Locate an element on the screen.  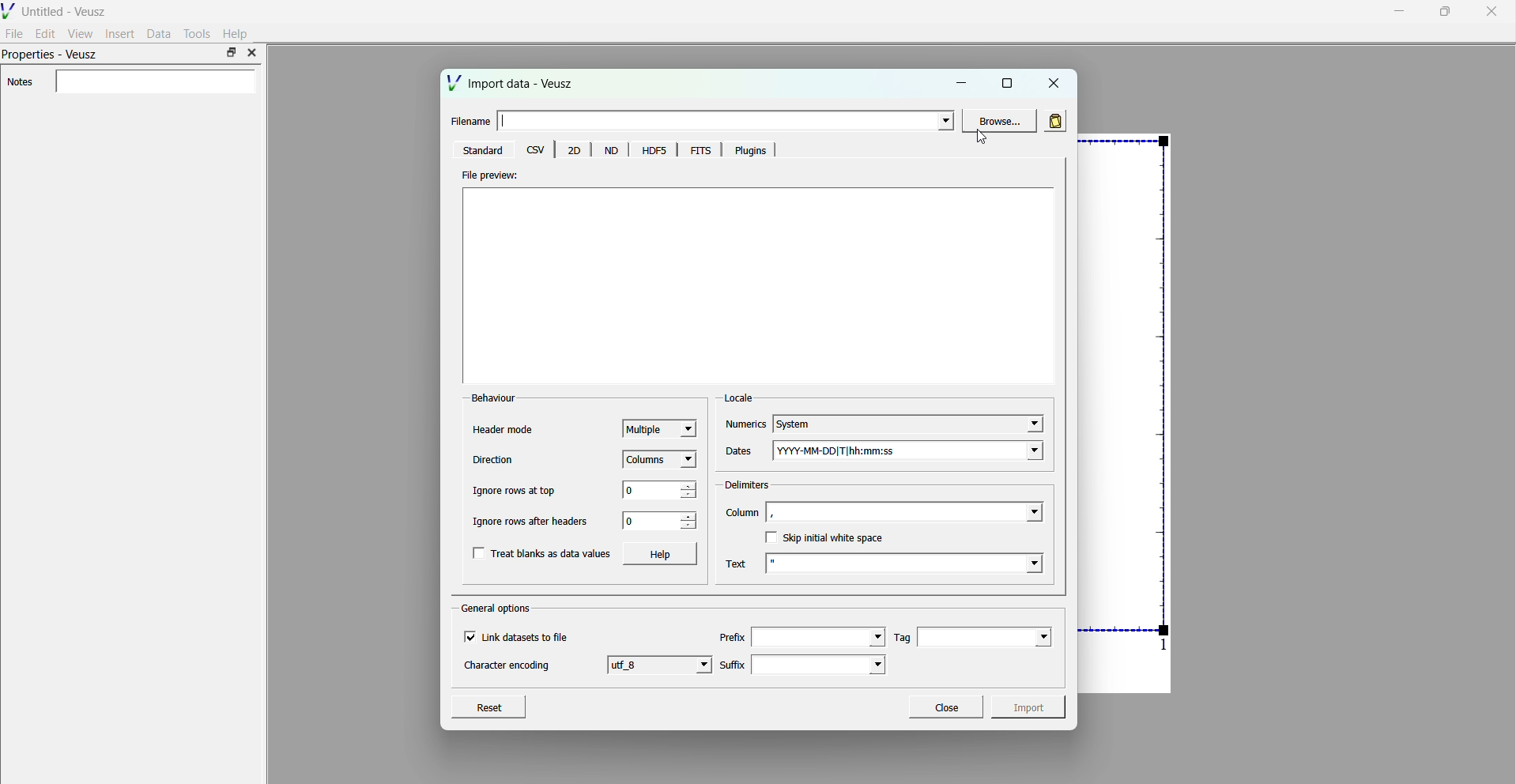
0 is located at coordinates (648, 489).